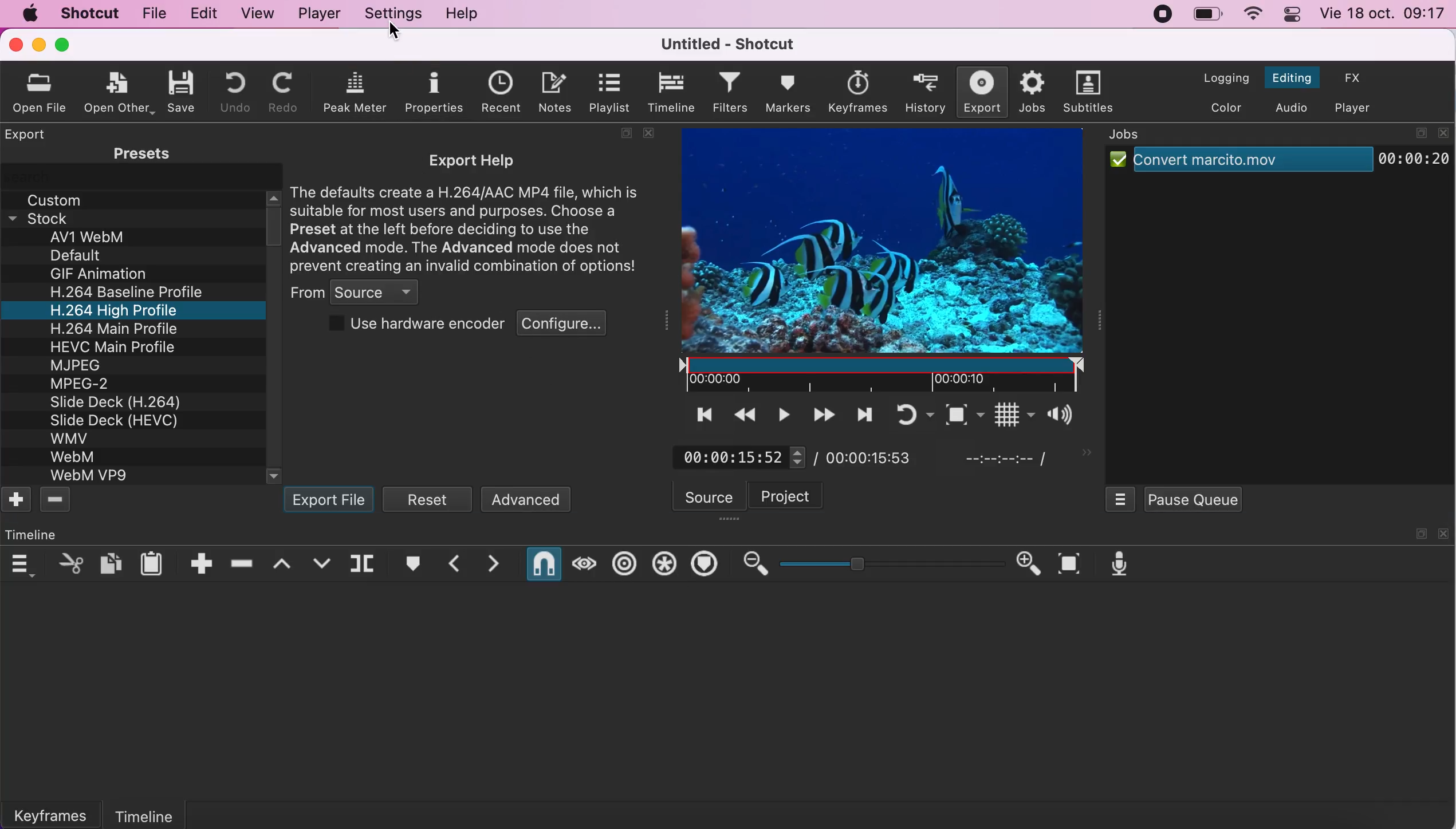 This screenshot has height=829, width=1456. Describe the element at coordinates (1290, 79) in the screenshot. I see `switch to the editing layout` at that location.